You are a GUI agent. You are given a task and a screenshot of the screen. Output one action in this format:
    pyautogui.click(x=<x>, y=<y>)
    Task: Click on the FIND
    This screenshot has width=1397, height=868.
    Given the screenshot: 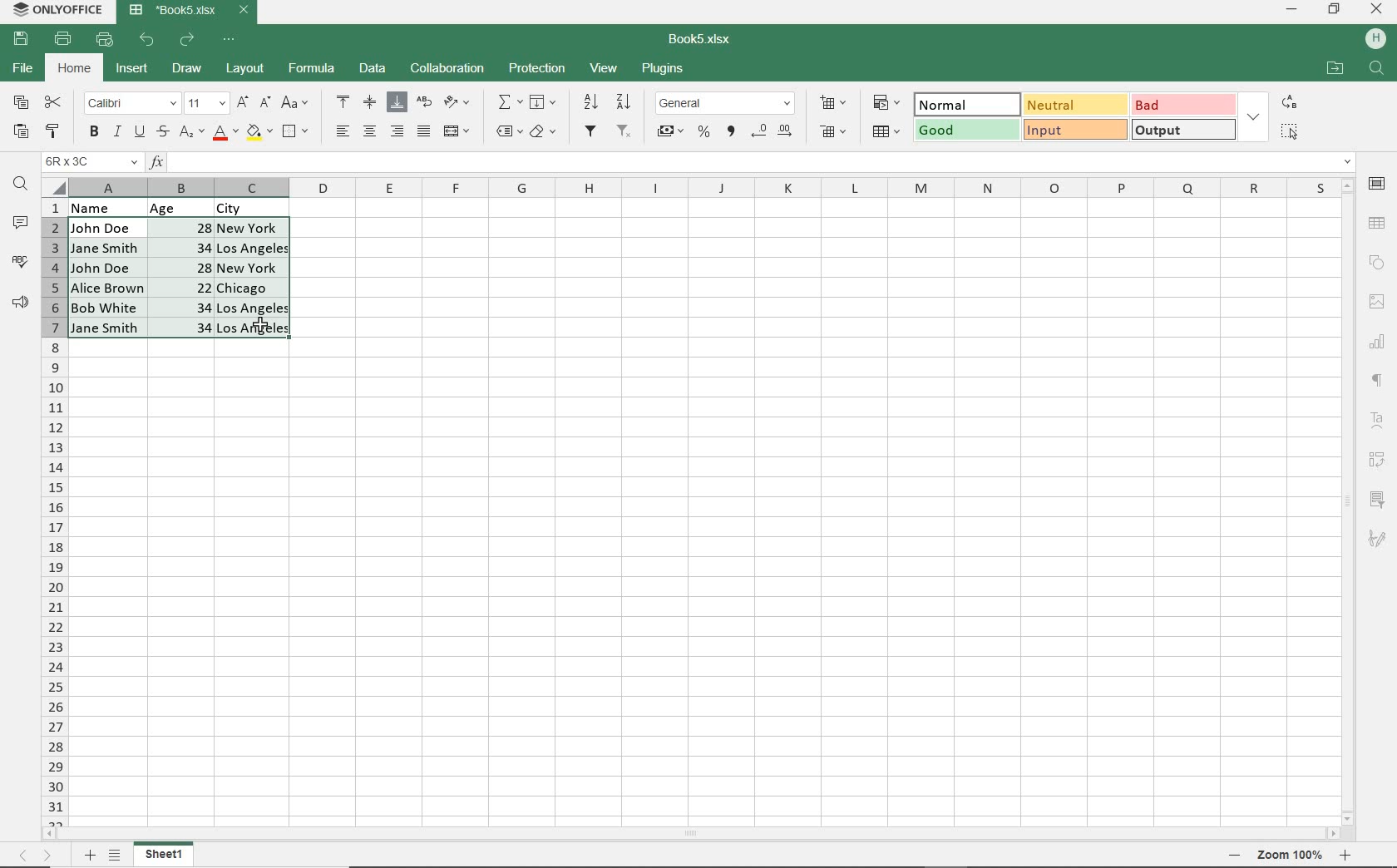 What is the action you would take?
    pyautogui.click(x=21, y=185)
    